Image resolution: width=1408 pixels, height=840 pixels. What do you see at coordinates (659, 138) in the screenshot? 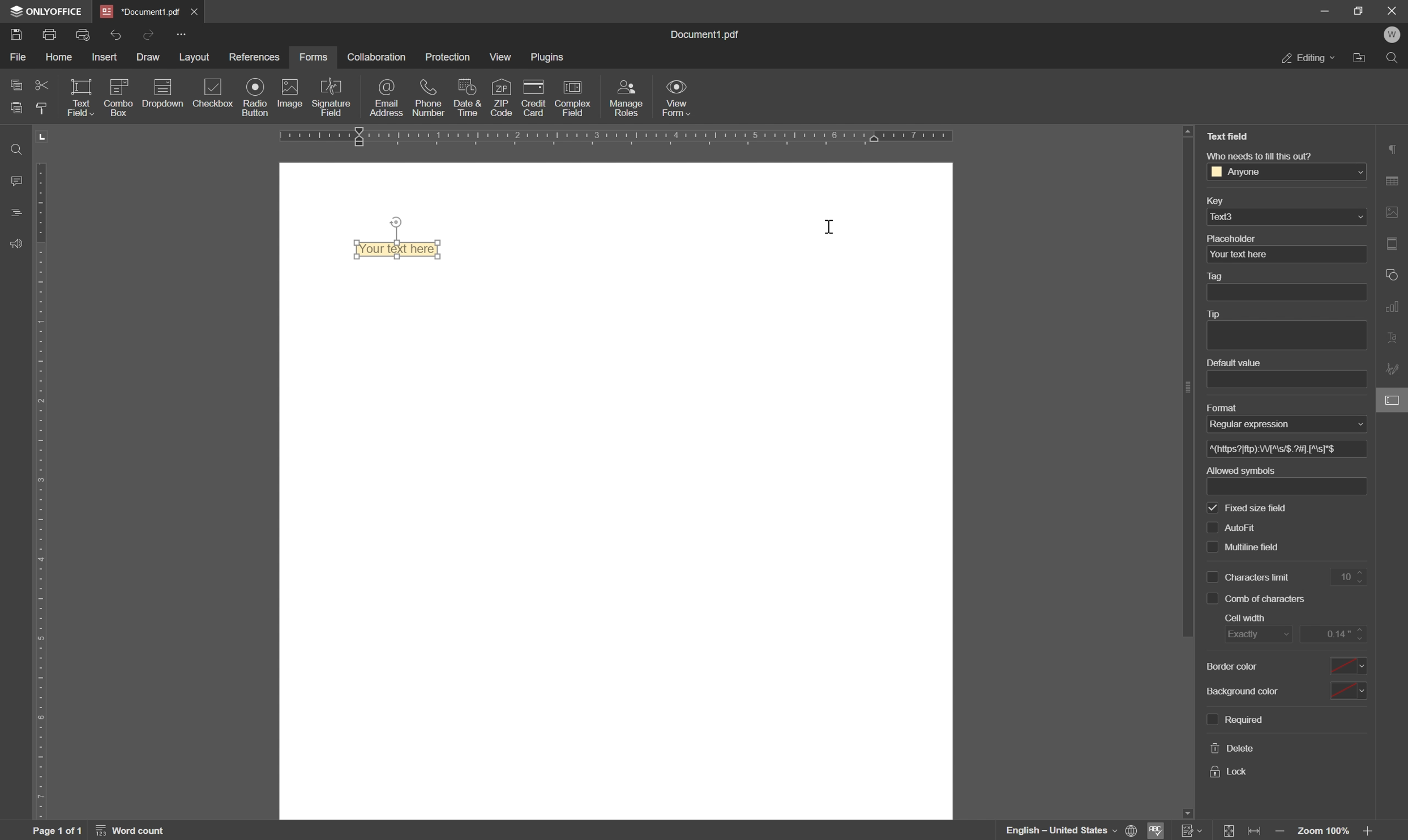
I see `ruler` at bounding box center [659, 138].